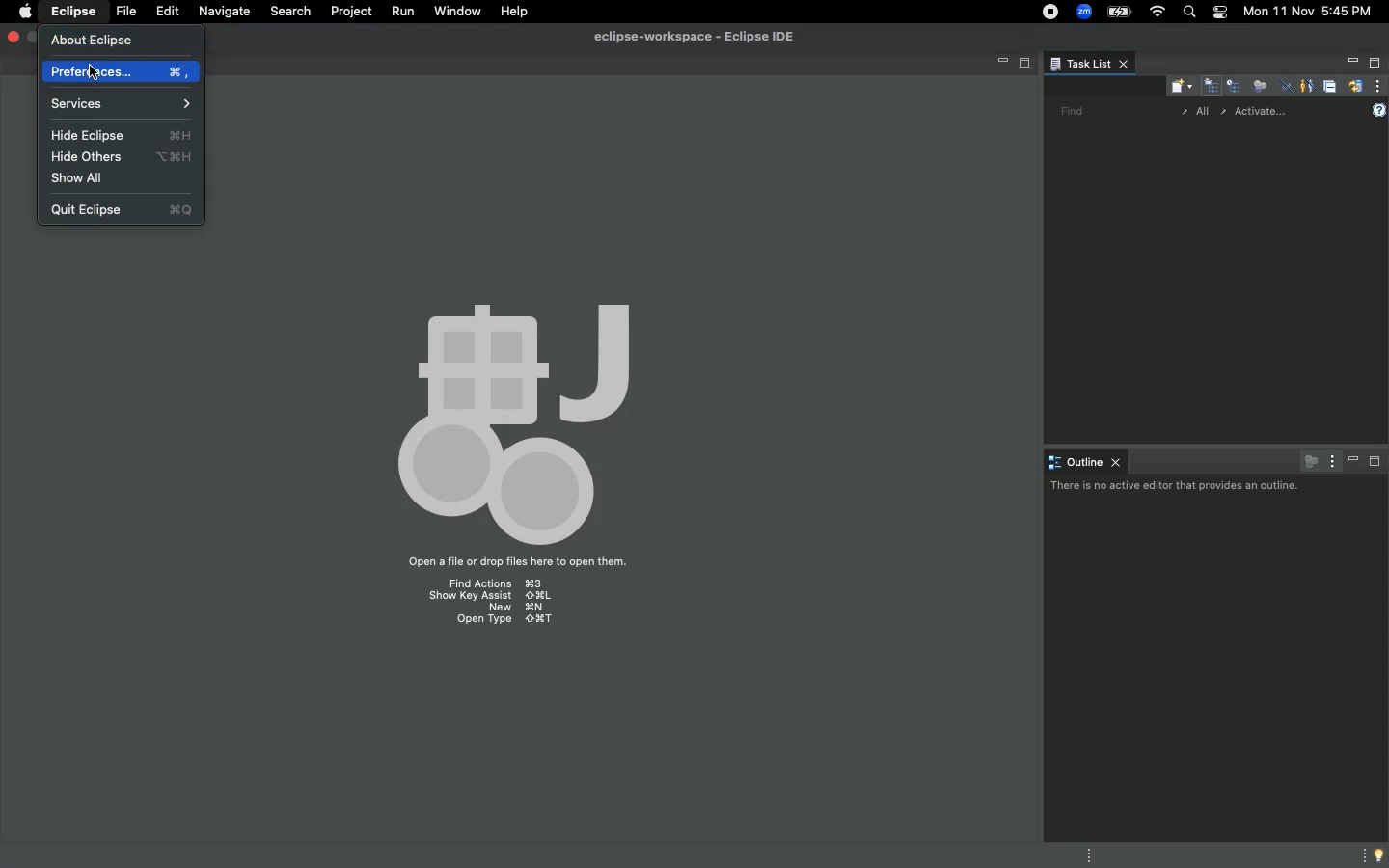 This screenshot has width=1389, height=868. What do you see at coordinates (1380, 108) in the screenshot?
I see `Help` at bounding box center [1380, 108].